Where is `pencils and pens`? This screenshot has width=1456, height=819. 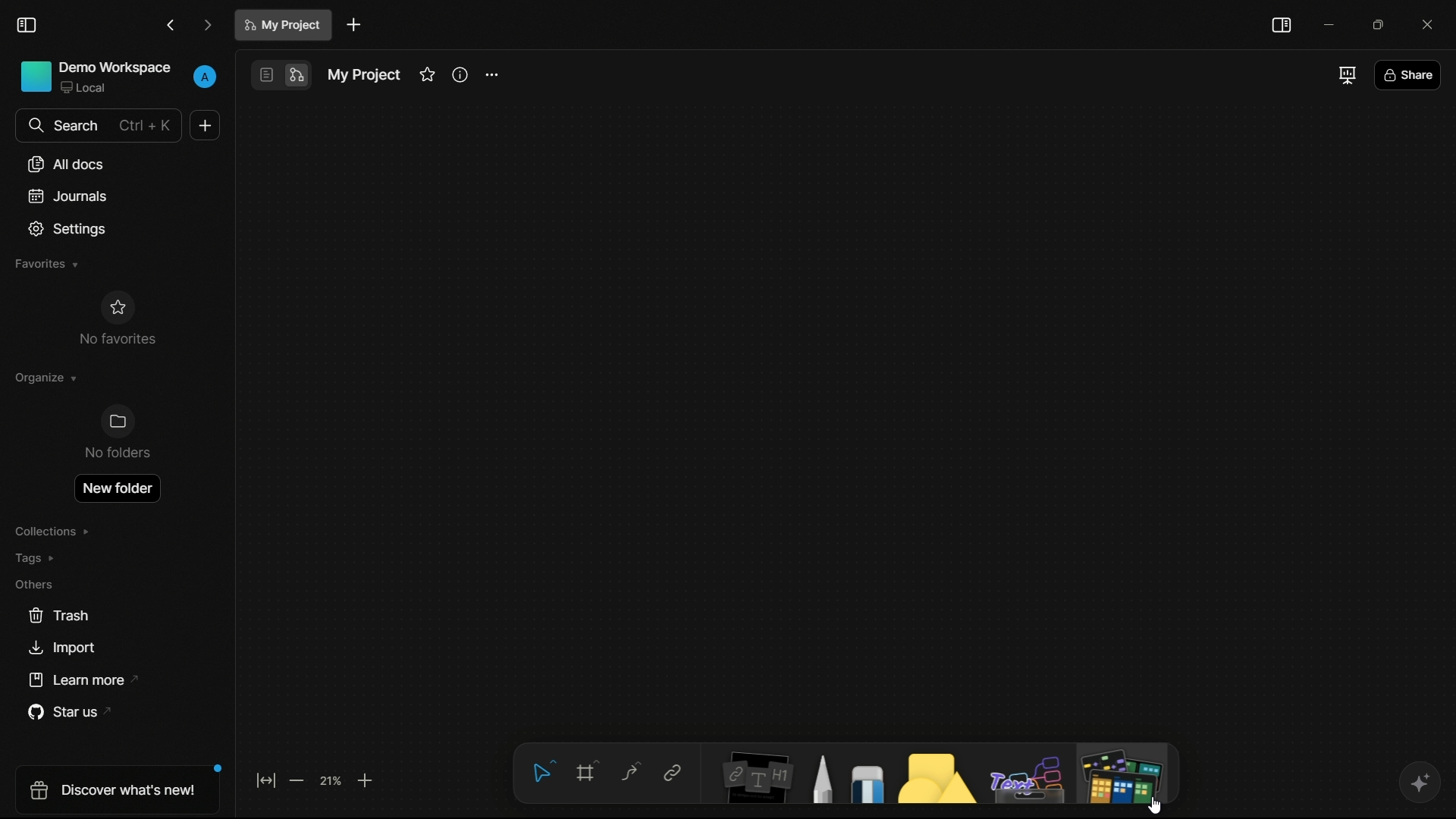
pencils and pens is located at coordinates (824, 779).